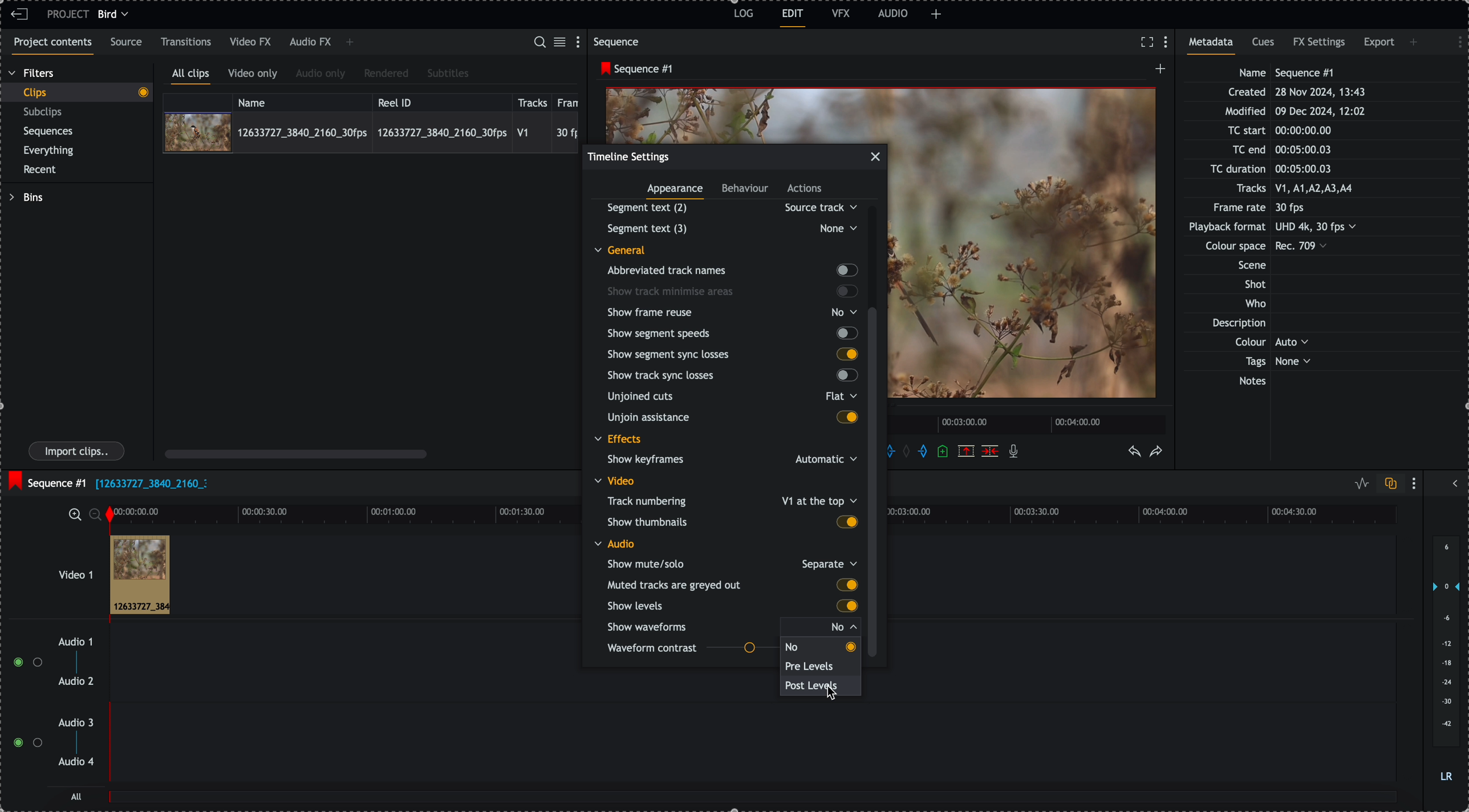  I want to click on toggle audio levels editing, so click(1359, 484).